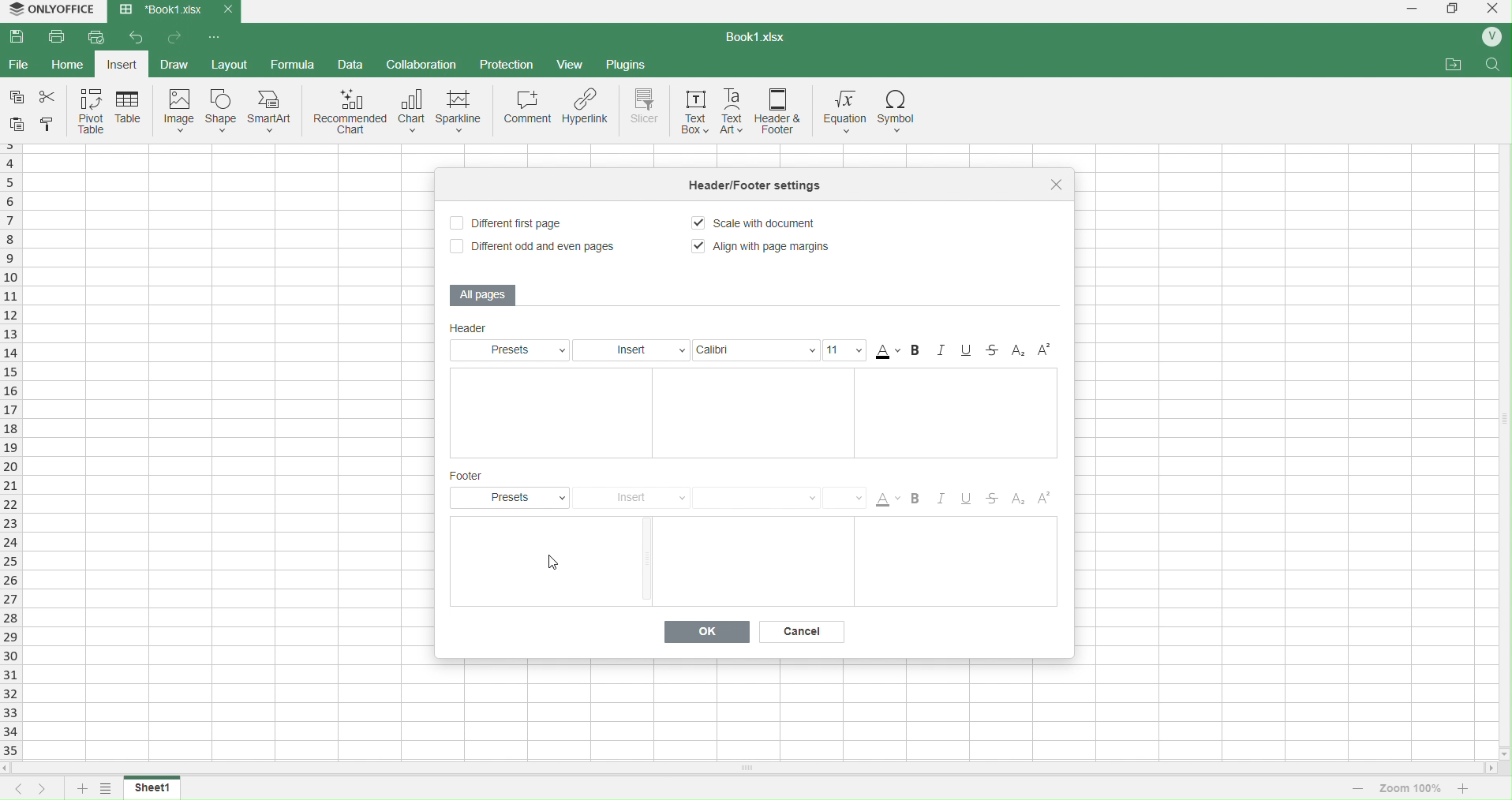 This screenshot has width=1512, height=800. I want to click on Header, so click(503, 330).